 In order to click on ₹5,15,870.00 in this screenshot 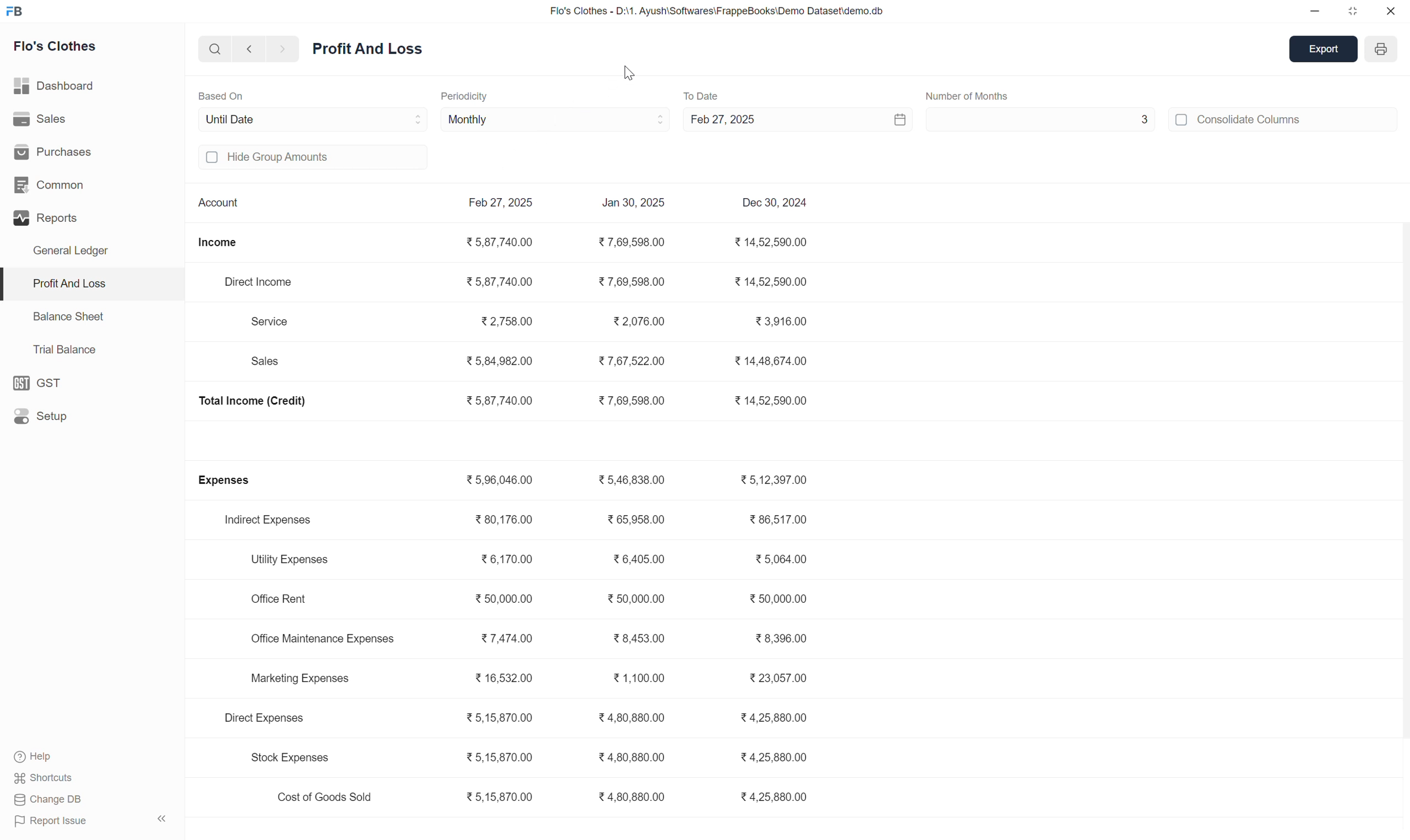, I will do `click(499, 799)`.